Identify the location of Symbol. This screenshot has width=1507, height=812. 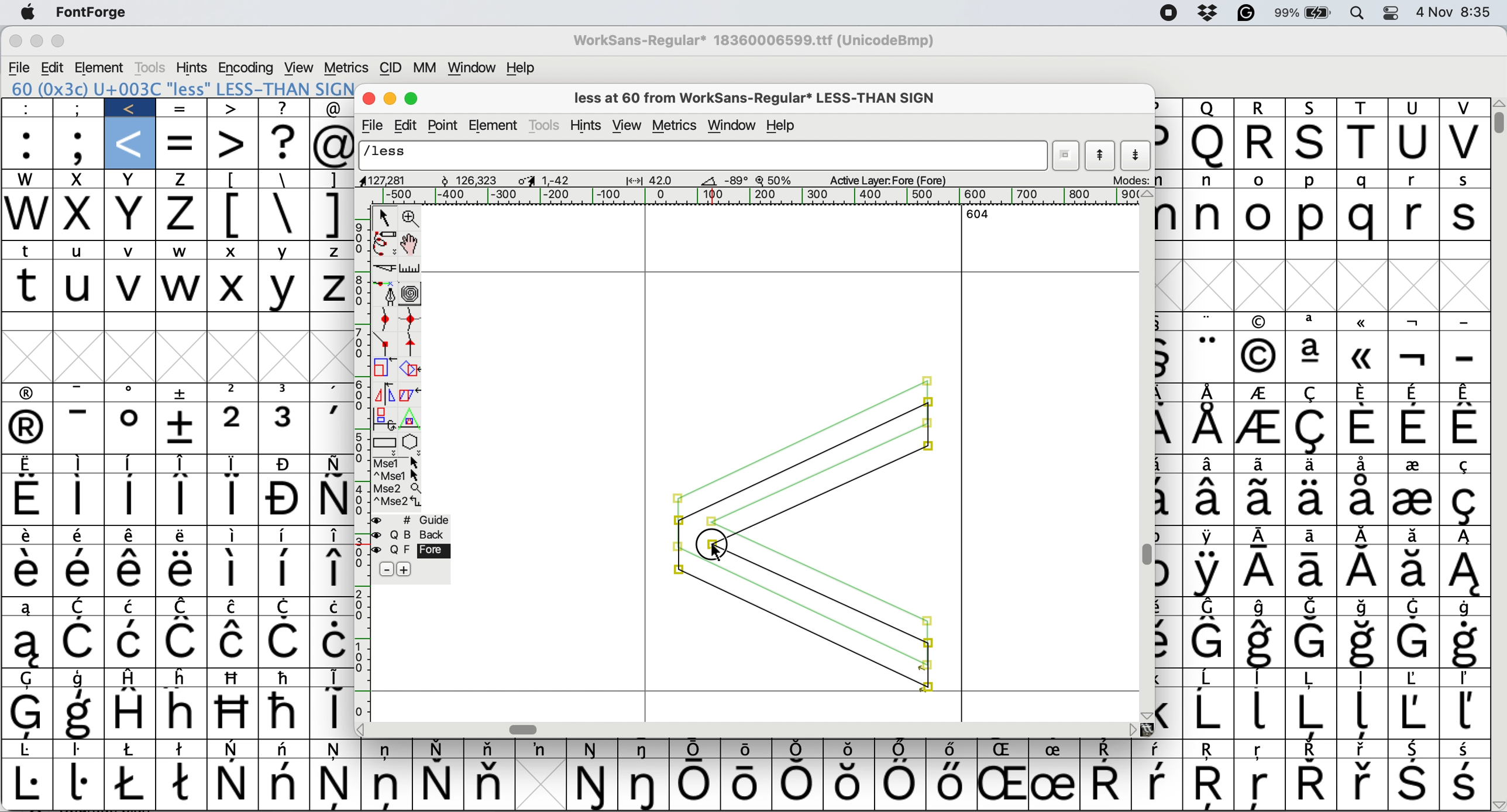
(83, 500).